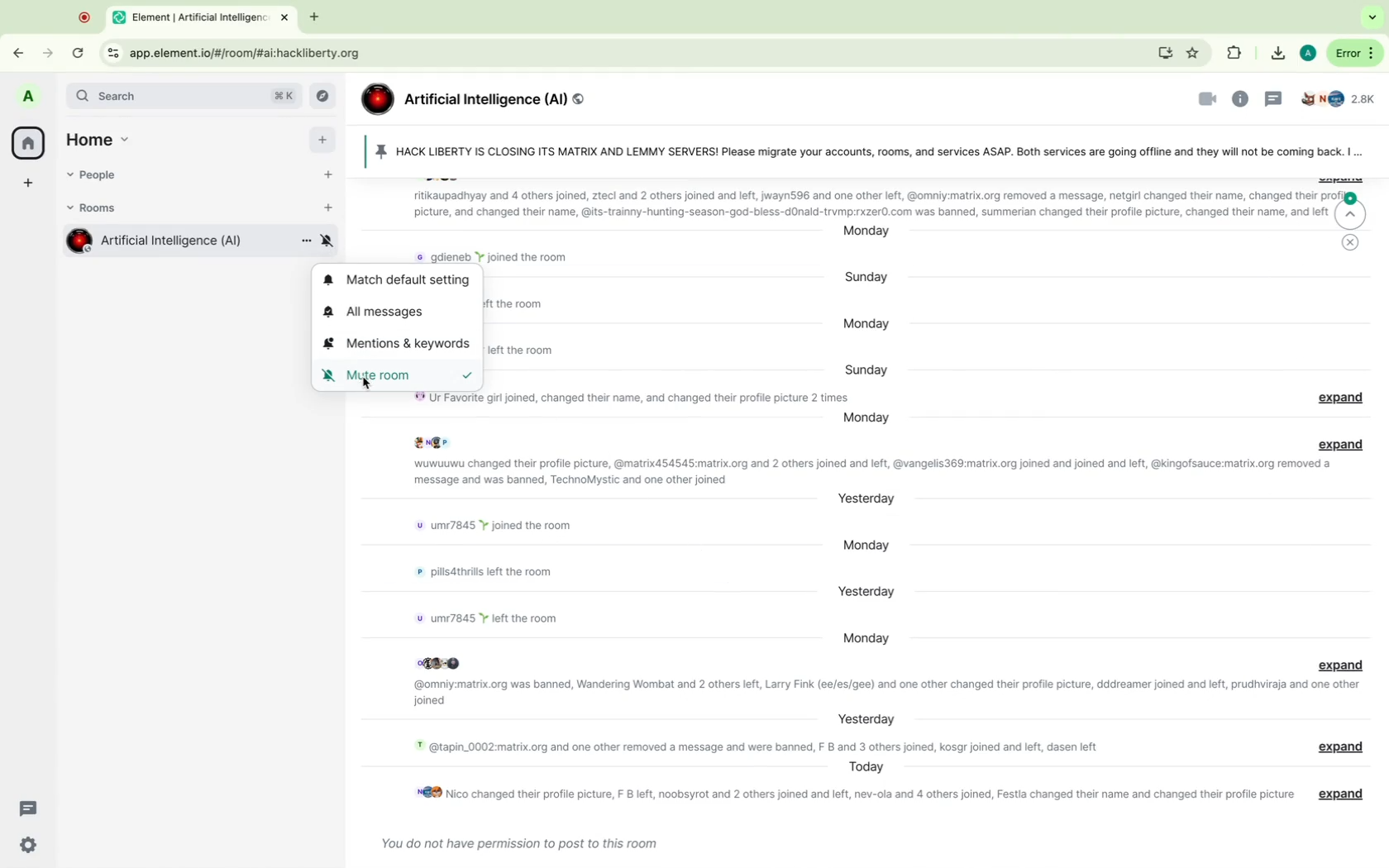 This screenshot has height=868, width=1389. What do you see at coordinates (76, 52) in the screenshot?
I see `refresh` at bounding box center [76, 52].